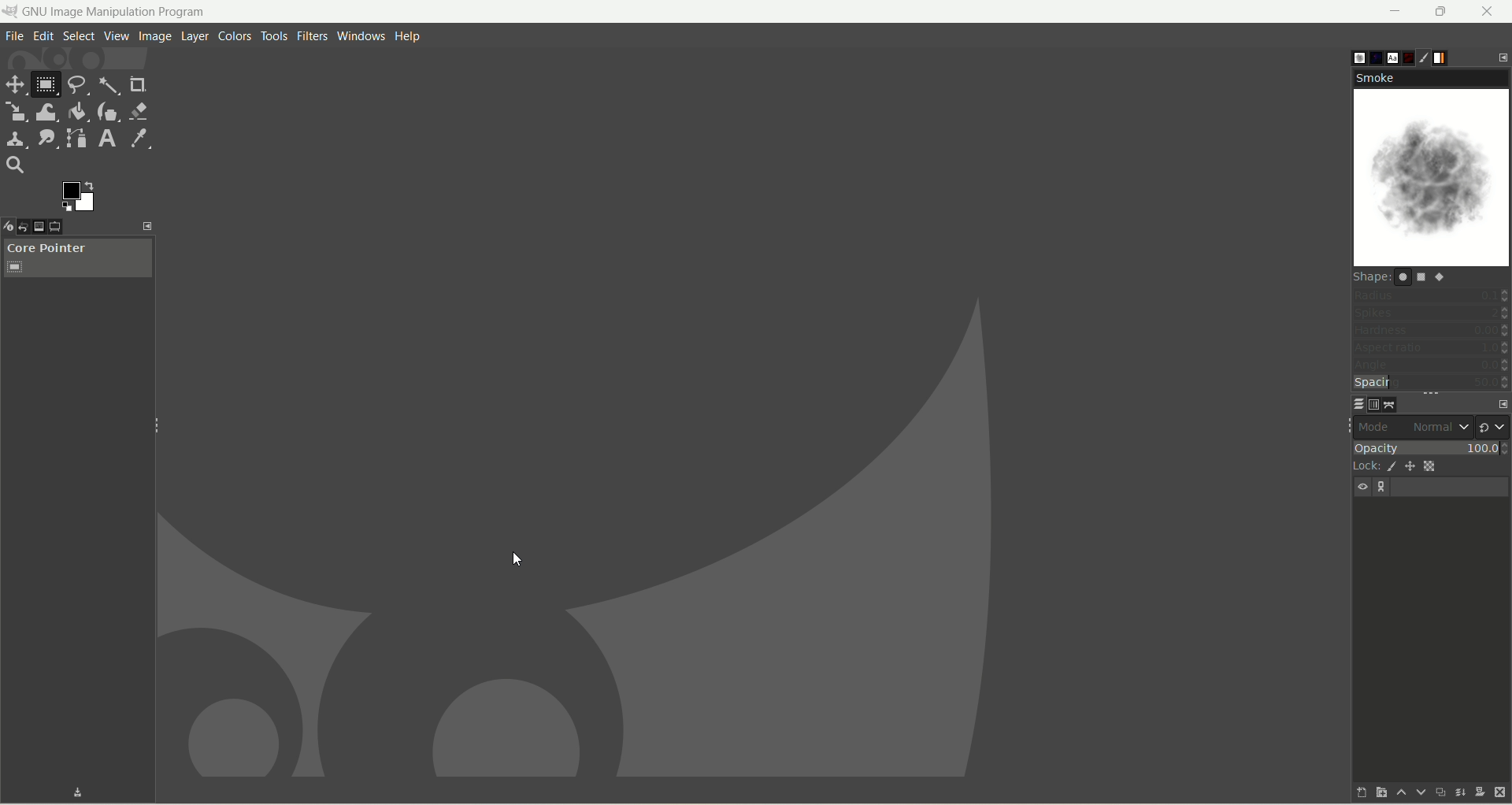  Describe the element at coordinates (80, 196) in the screenshot. I see `active foreground color` at that location.